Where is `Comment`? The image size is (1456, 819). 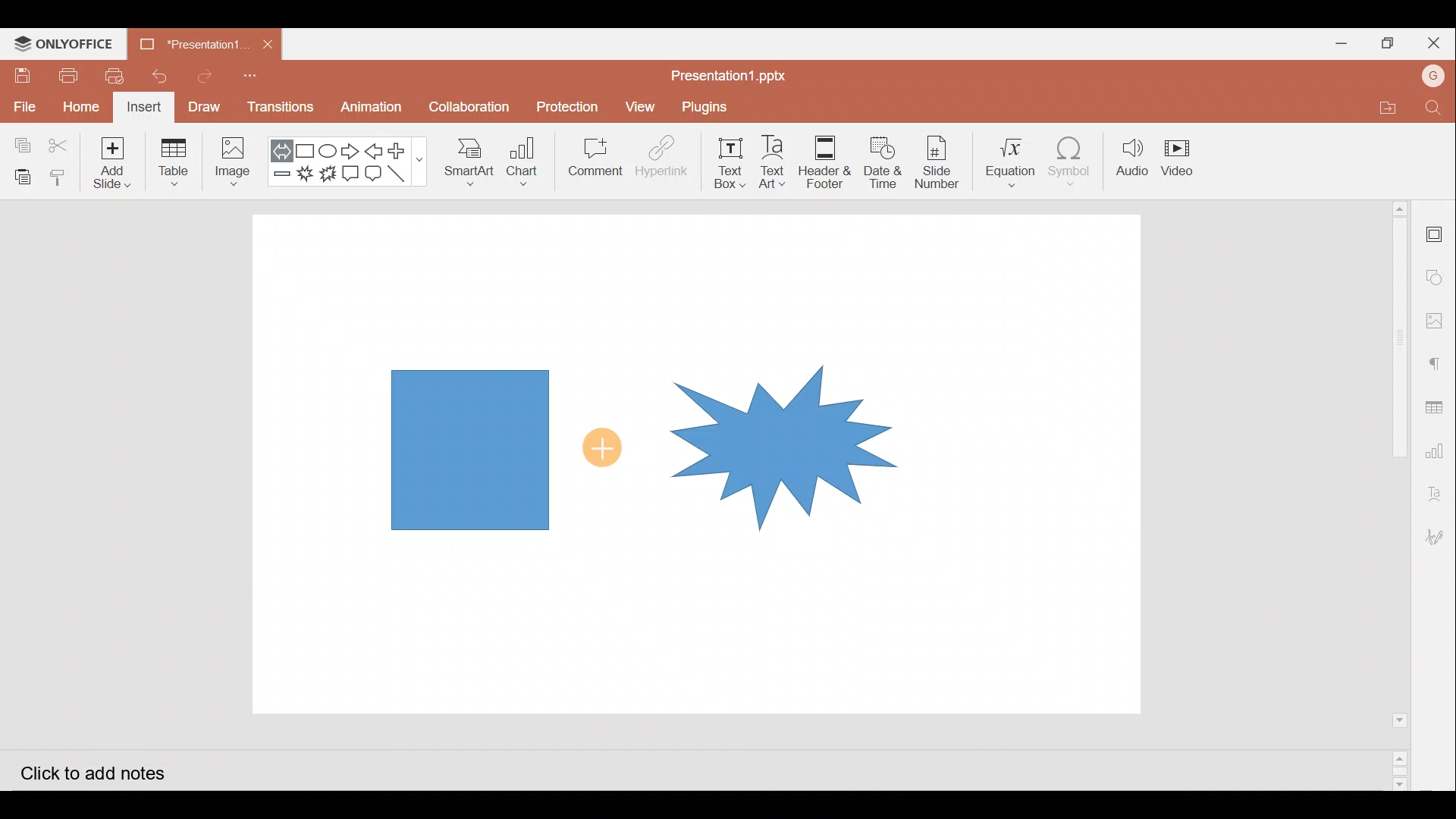
Comment is located at coordinates (596, 160).